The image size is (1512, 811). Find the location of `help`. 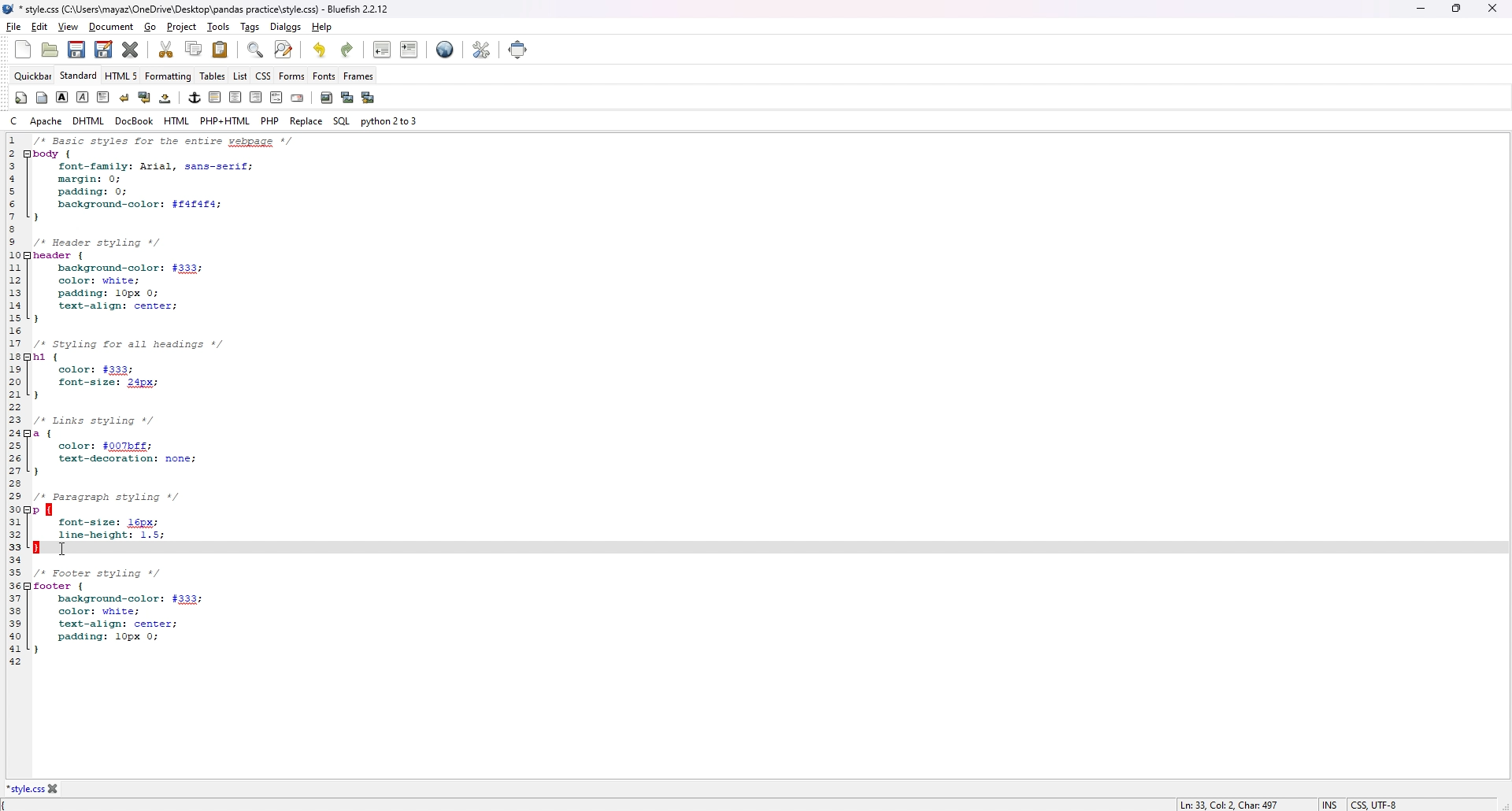

help is located at coordinates (322, 26).